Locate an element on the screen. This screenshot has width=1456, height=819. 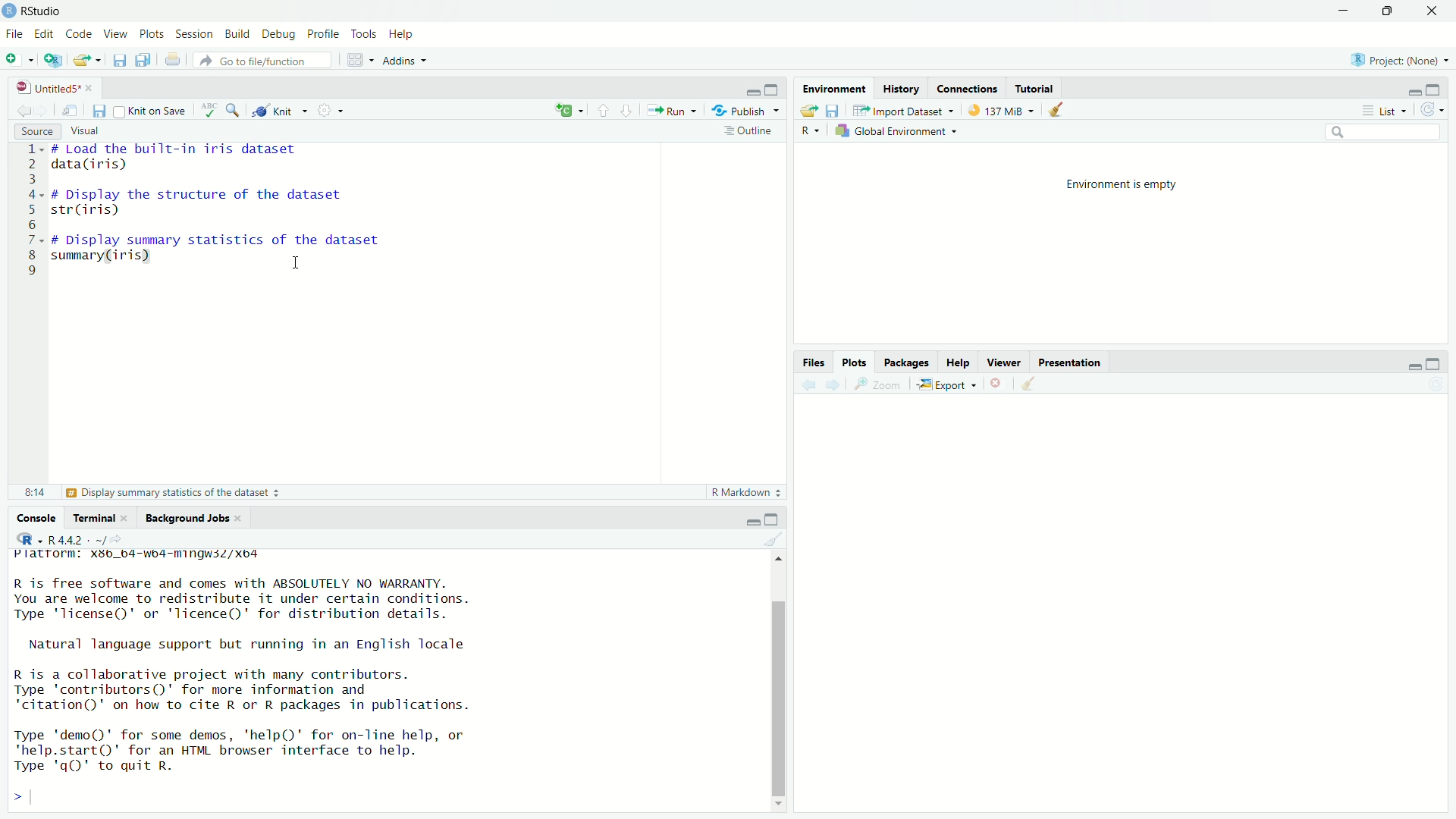
Full Height is located at coordinates (774, 519).